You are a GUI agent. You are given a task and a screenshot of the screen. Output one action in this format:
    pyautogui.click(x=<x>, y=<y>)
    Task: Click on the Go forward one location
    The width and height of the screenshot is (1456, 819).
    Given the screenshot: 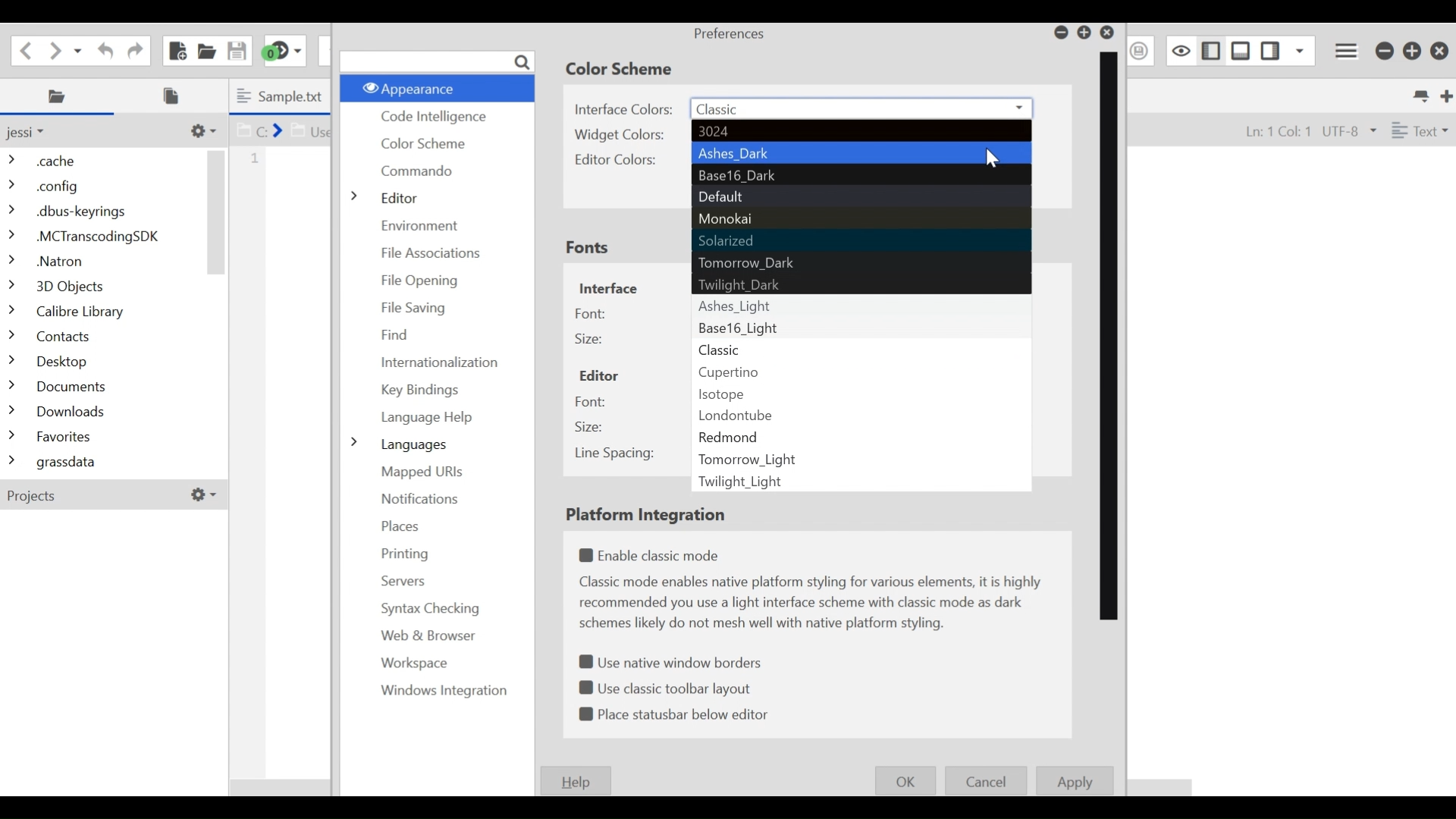 What is the action you would take?
    pyautogui.click(x=56, y=49)
    